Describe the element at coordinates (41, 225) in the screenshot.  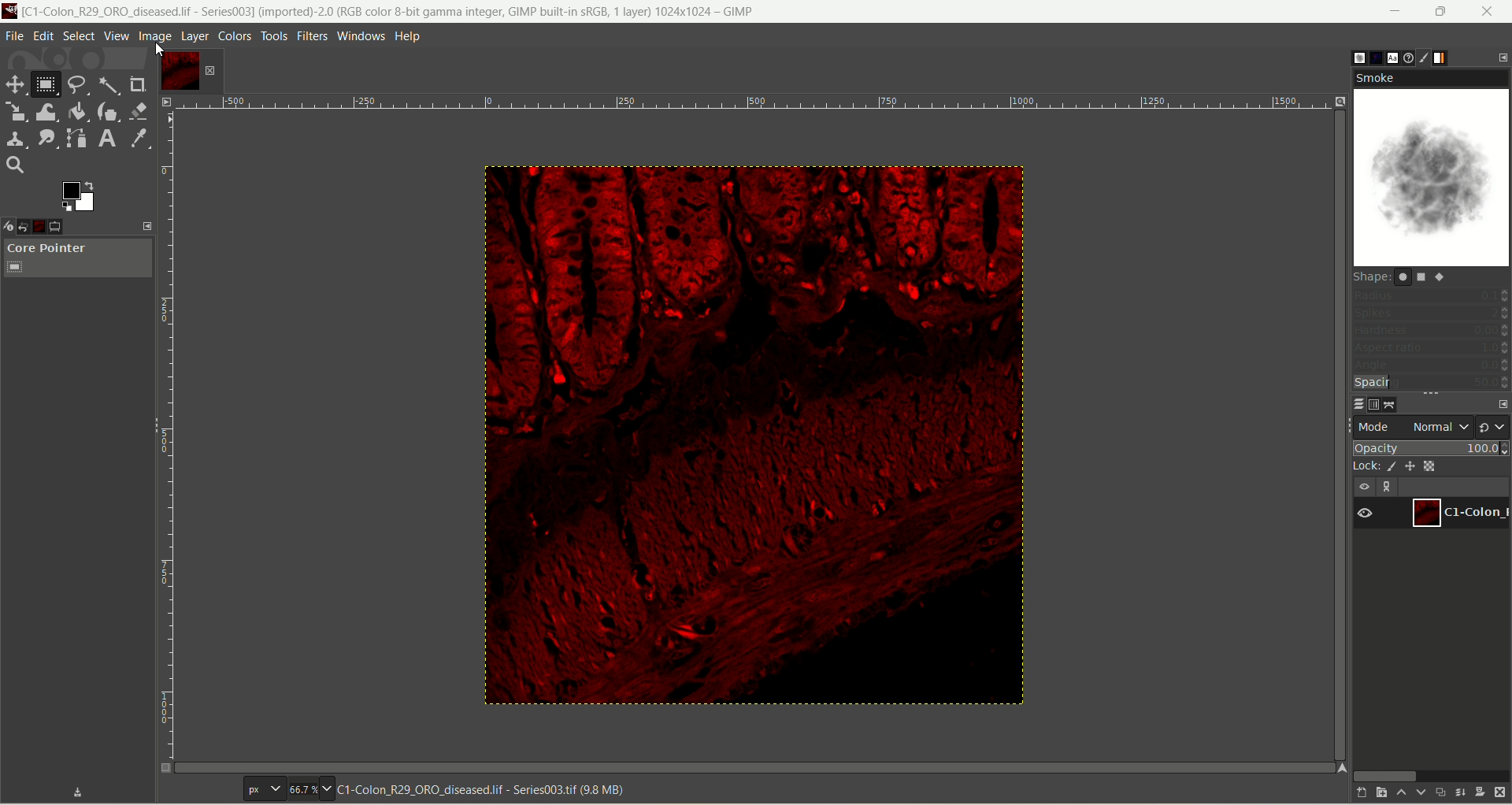
I see `image` at that location.